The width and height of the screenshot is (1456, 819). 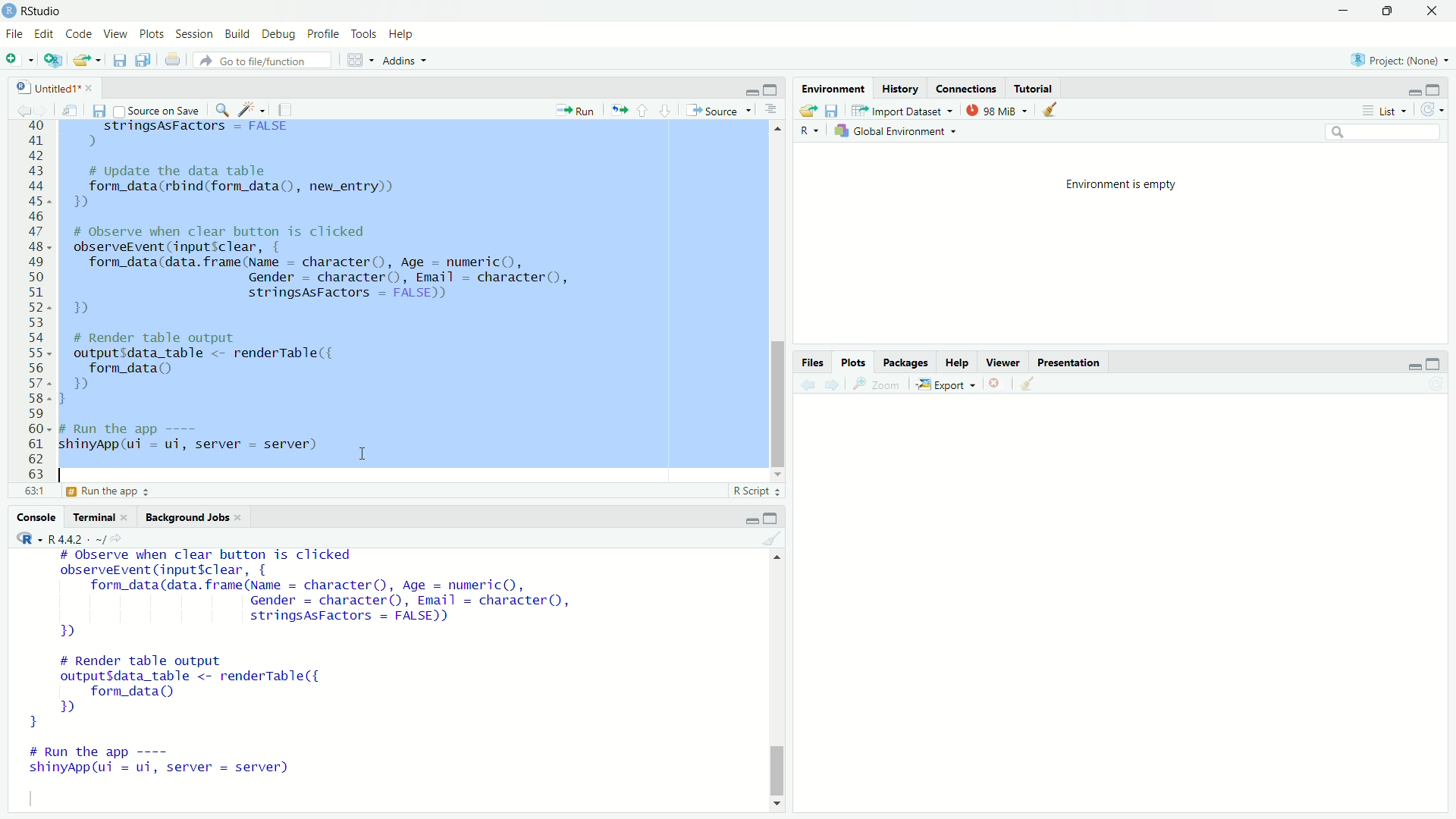 I want to click on code to observe when clear button is clicked, so click(x=323, y=596).